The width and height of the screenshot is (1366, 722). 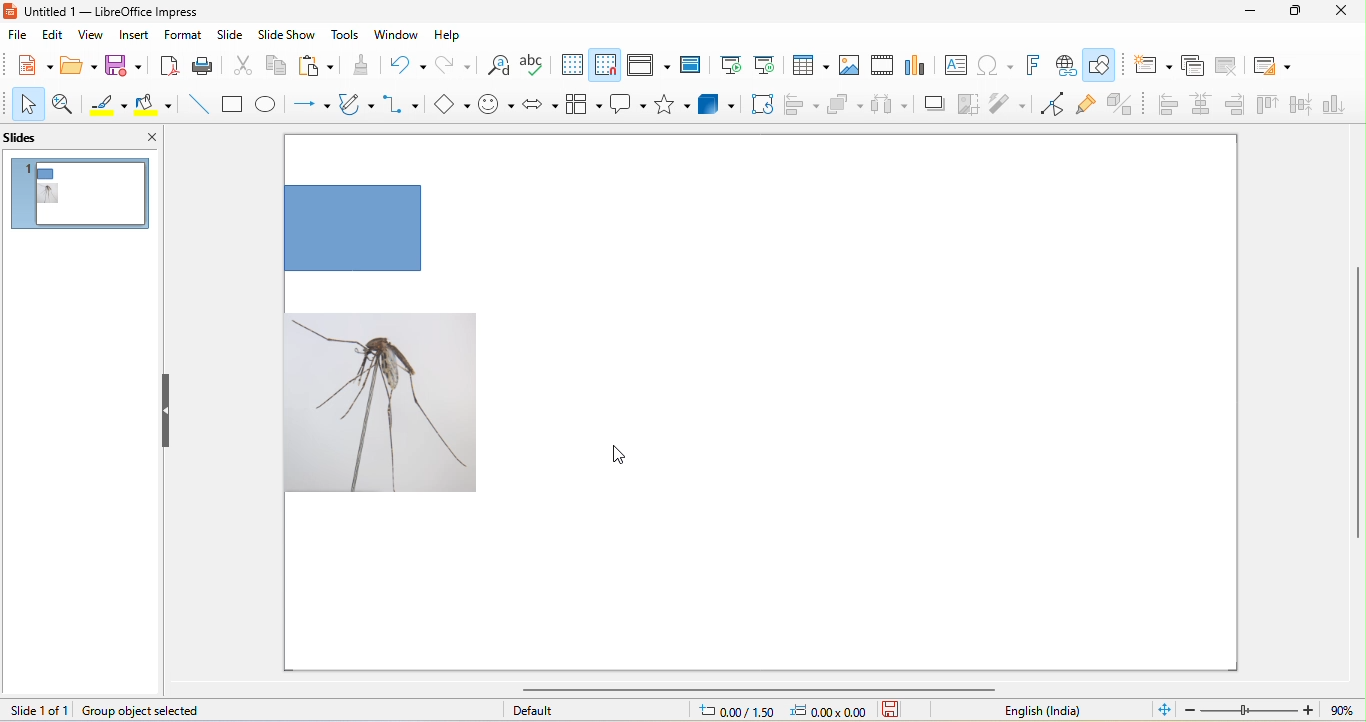 I want to click on undo, so click(x=403, y=64).